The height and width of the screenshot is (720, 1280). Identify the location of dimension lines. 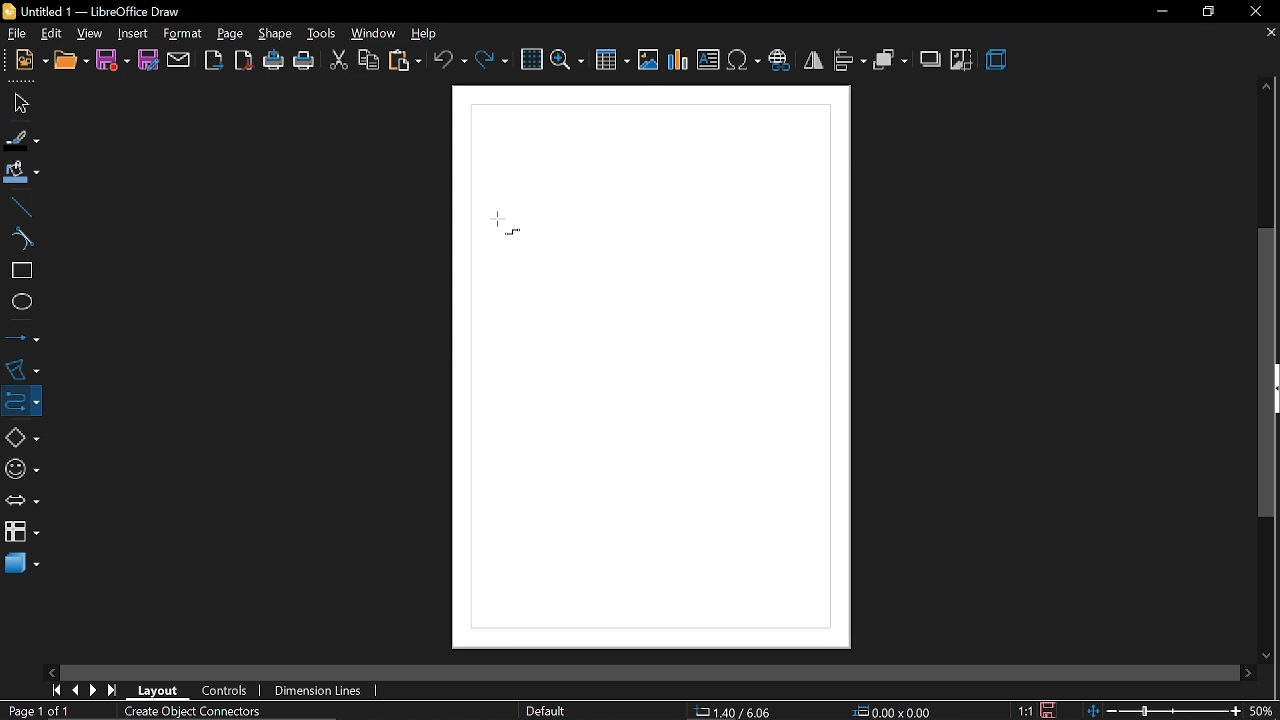
(321, 691).